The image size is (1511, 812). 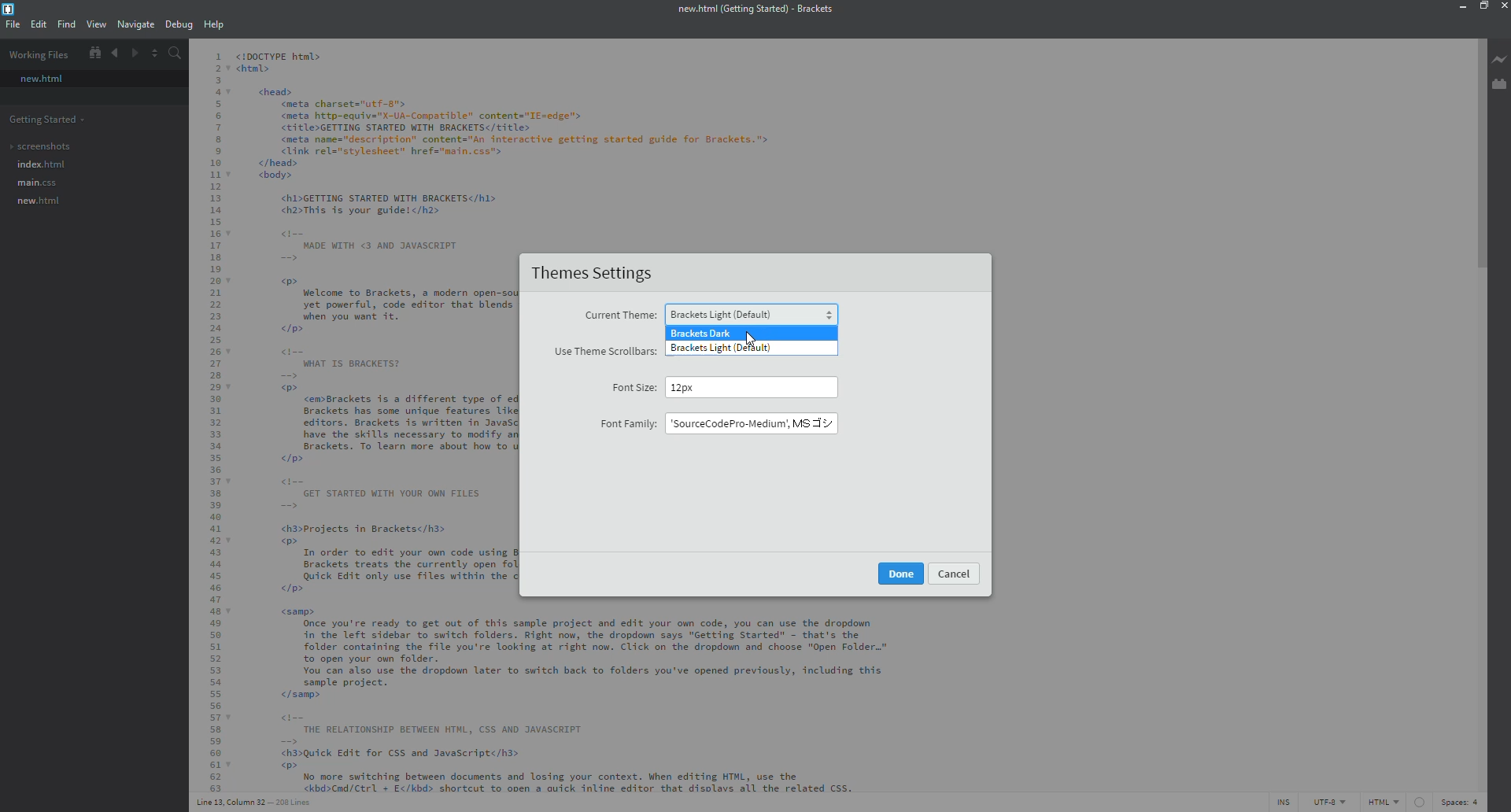 What do you see at coordinates (65, 24) in the screenshot?
I see `find` at bounding box center [65, 24].